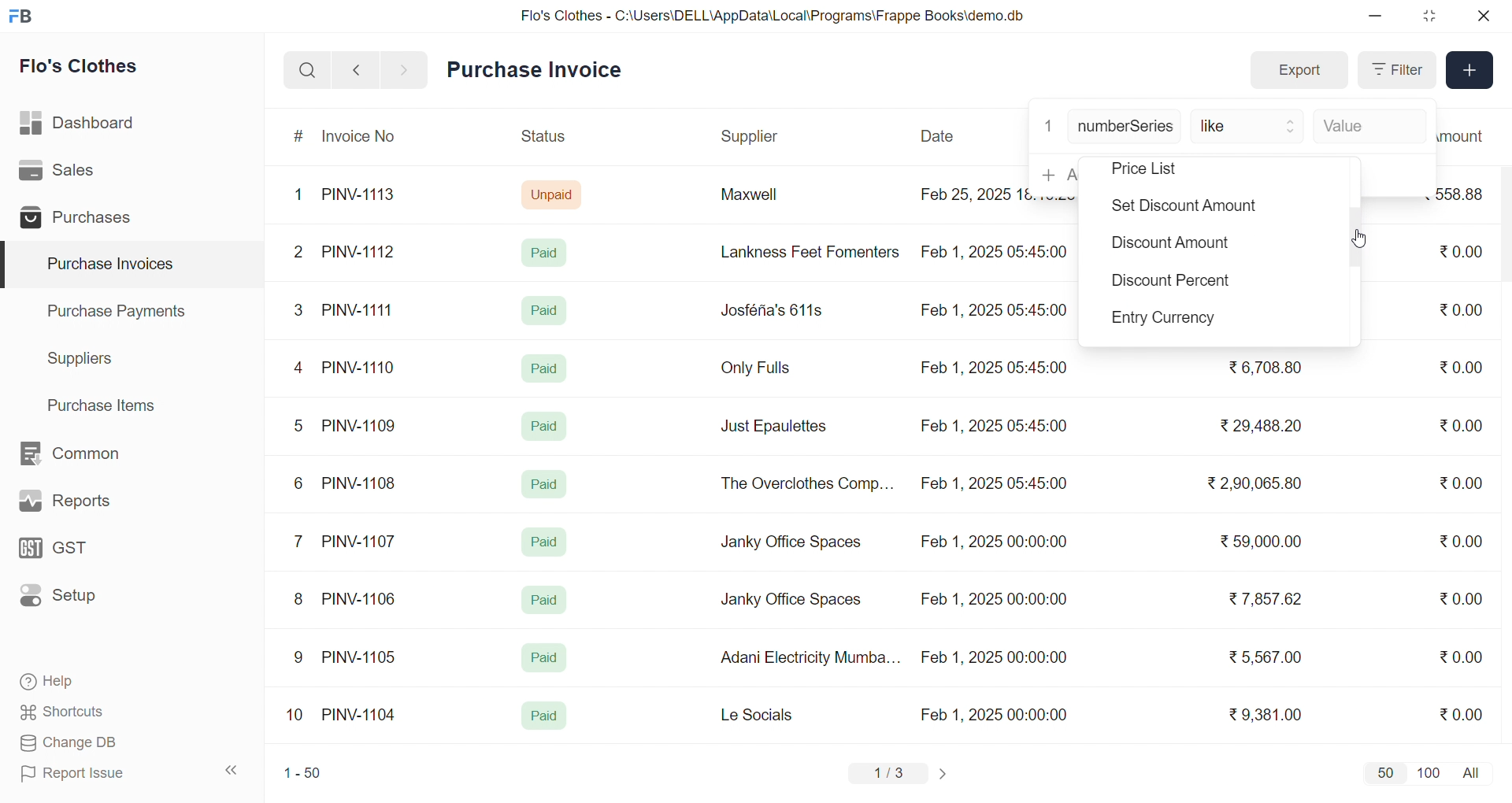 The width and height of the screenshot is (1512, 803). What do you see at coordinates (1267, 599) in the screenshot?
I see `₹ 7,857.62` at bounding box center [1267, 599].